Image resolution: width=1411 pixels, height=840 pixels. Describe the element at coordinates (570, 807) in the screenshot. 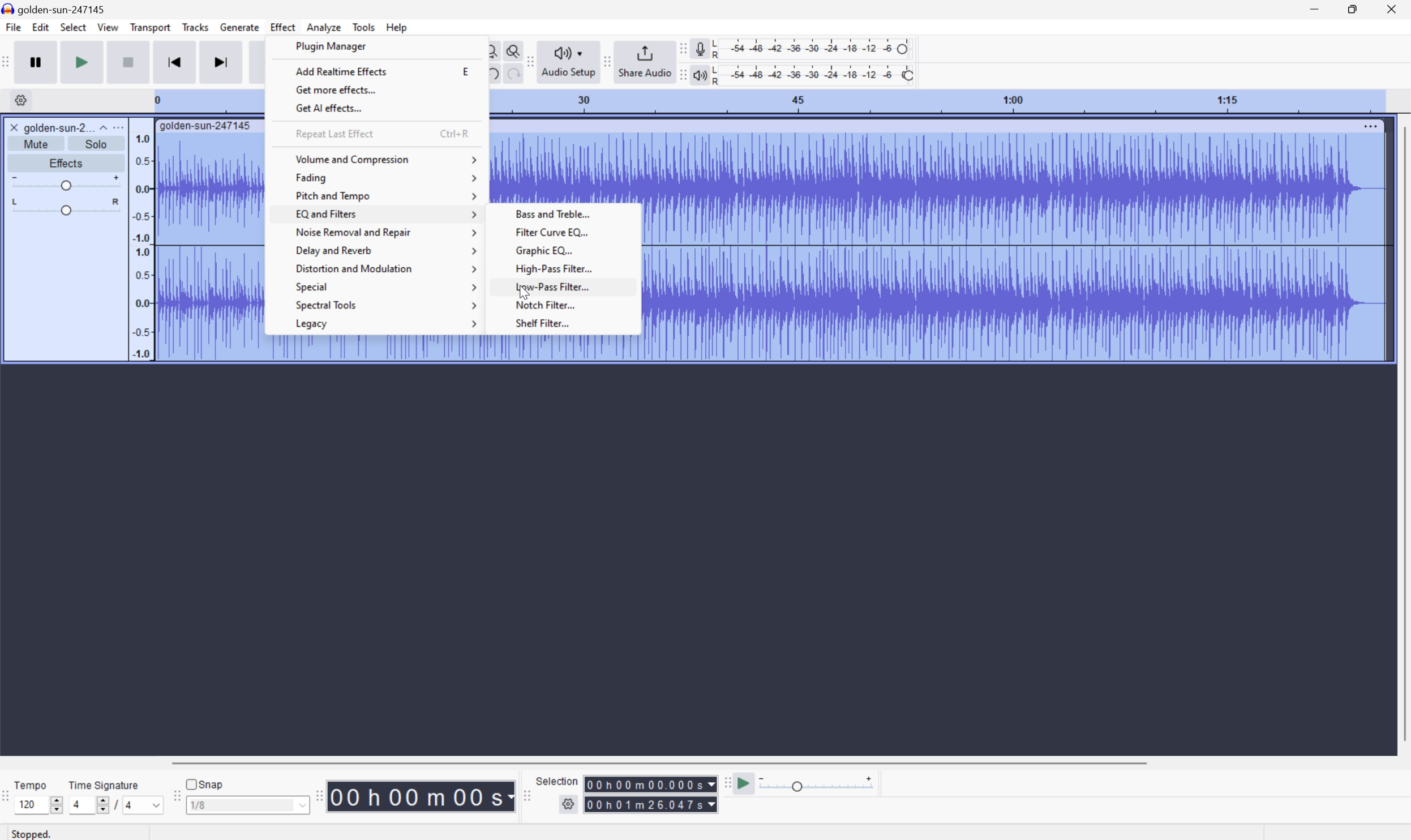

I see `Settings` at that location.